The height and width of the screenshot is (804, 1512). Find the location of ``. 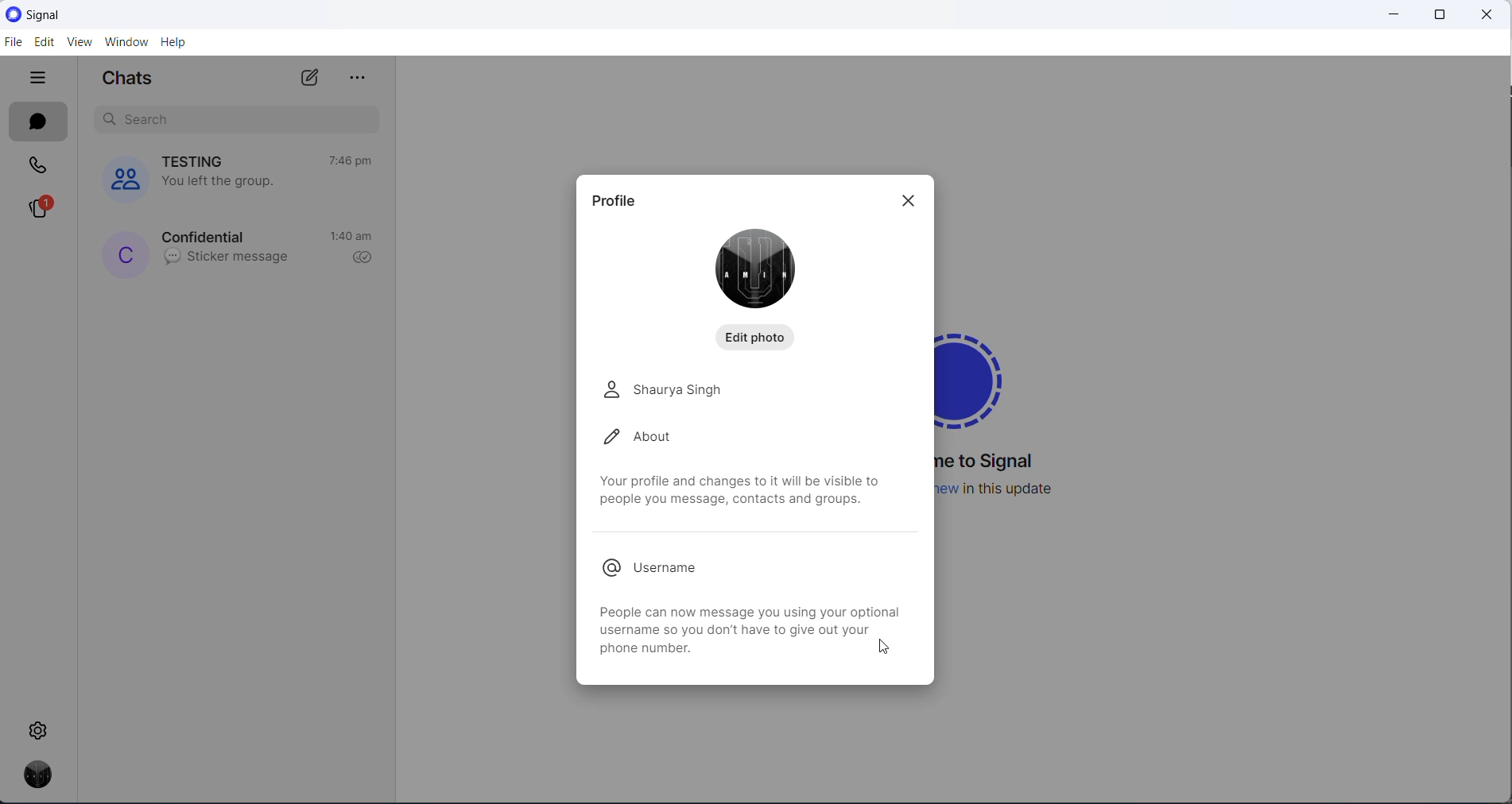

 is located at coordinates (682, 388).